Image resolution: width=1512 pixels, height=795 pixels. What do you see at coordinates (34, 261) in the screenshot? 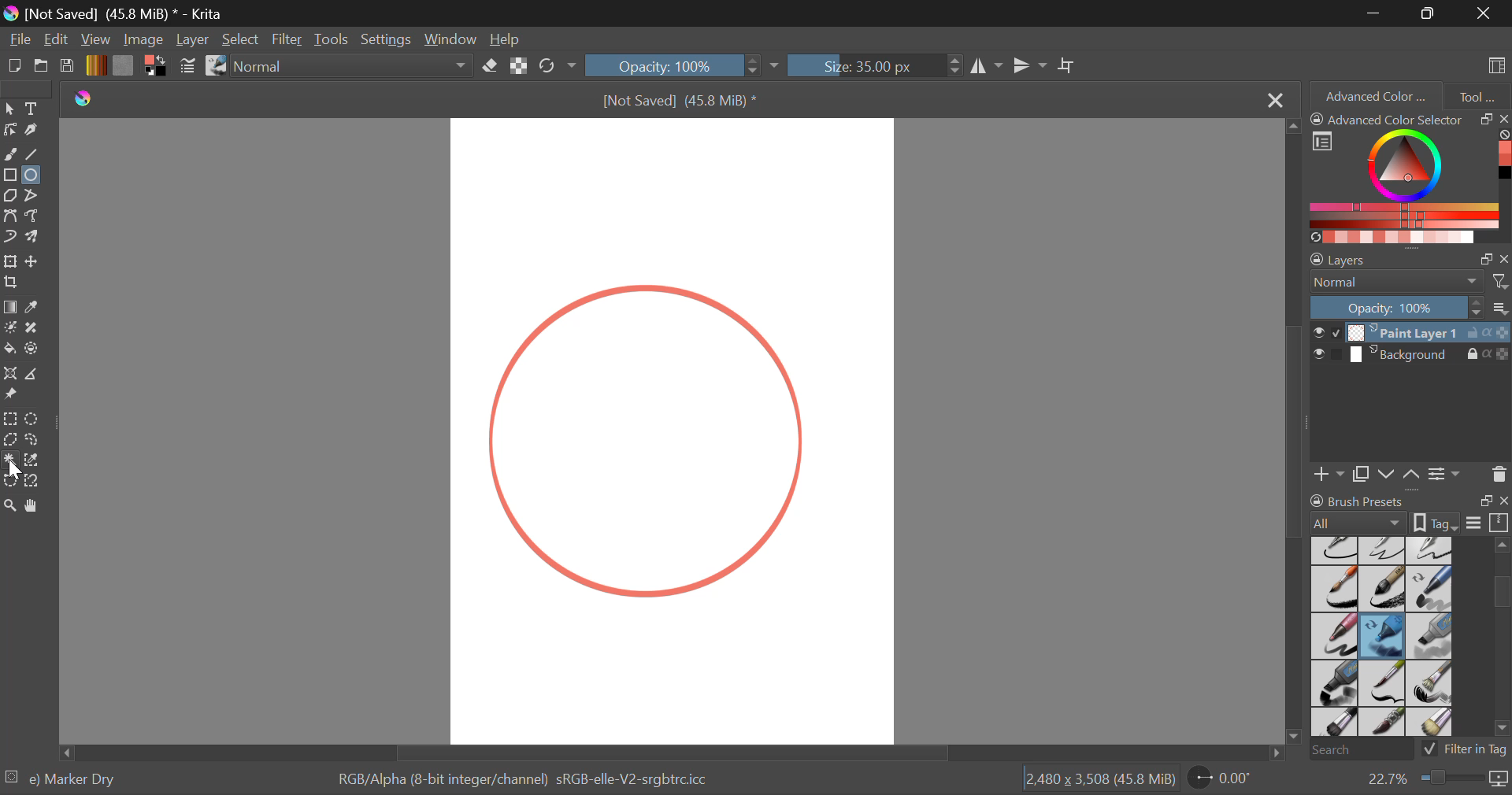
I see `Move a layer` at bounding box center [34, 261].